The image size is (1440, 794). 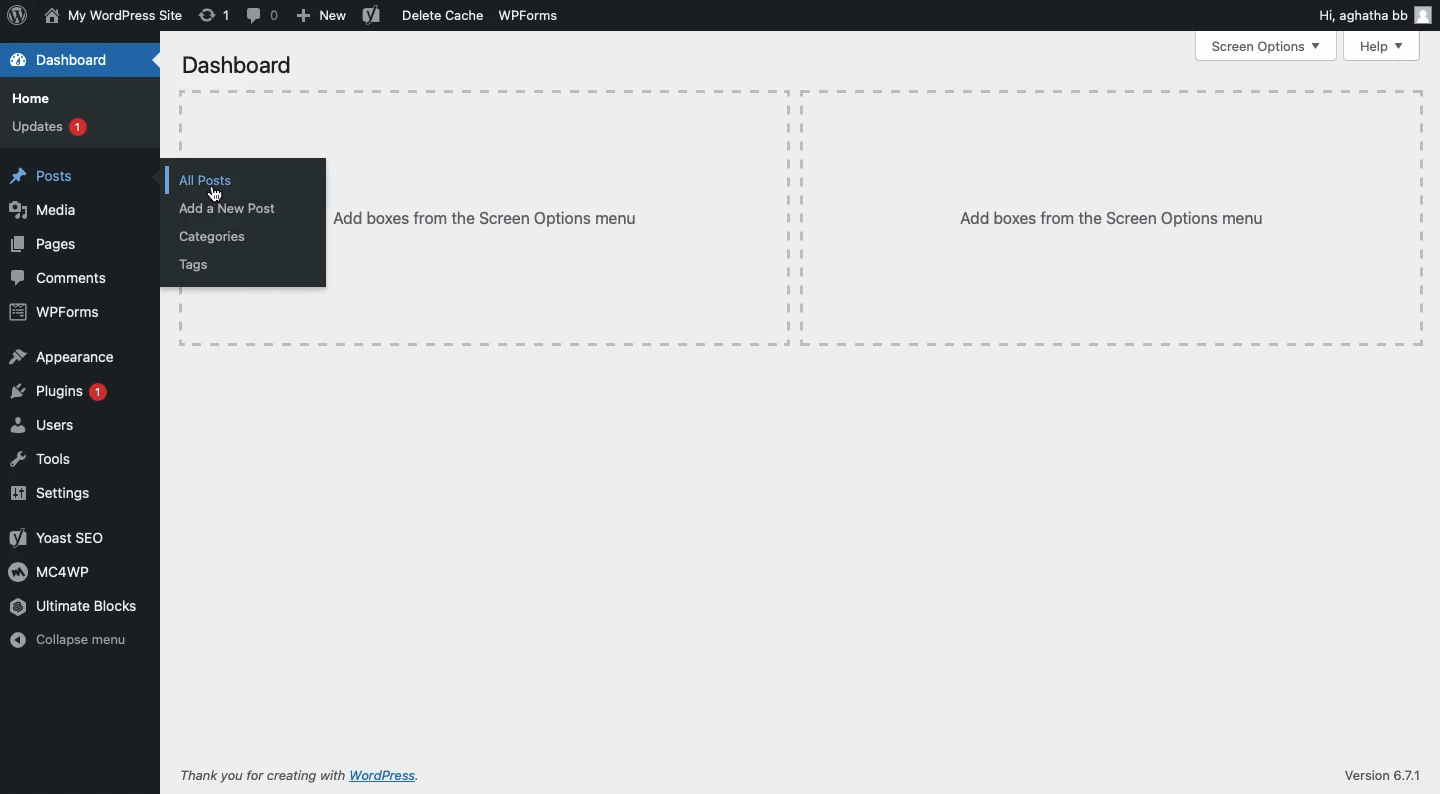 I want to click on Comments, so click(x=64, y=279).